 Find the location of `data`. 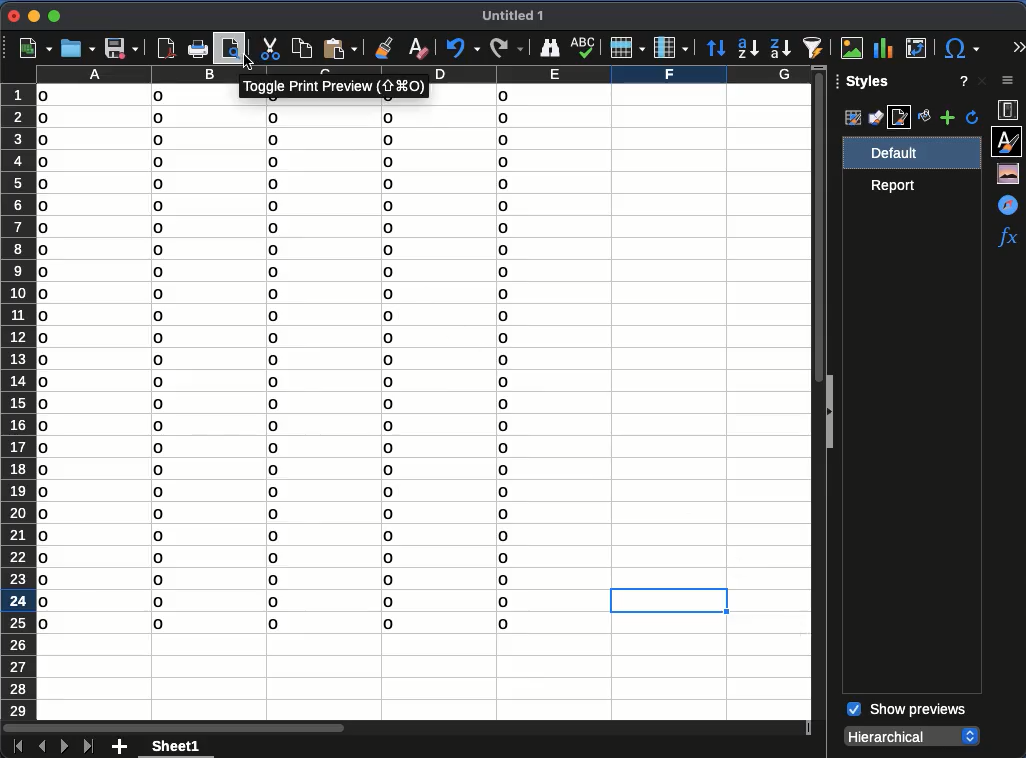

data is located at coordinates (282, 372).